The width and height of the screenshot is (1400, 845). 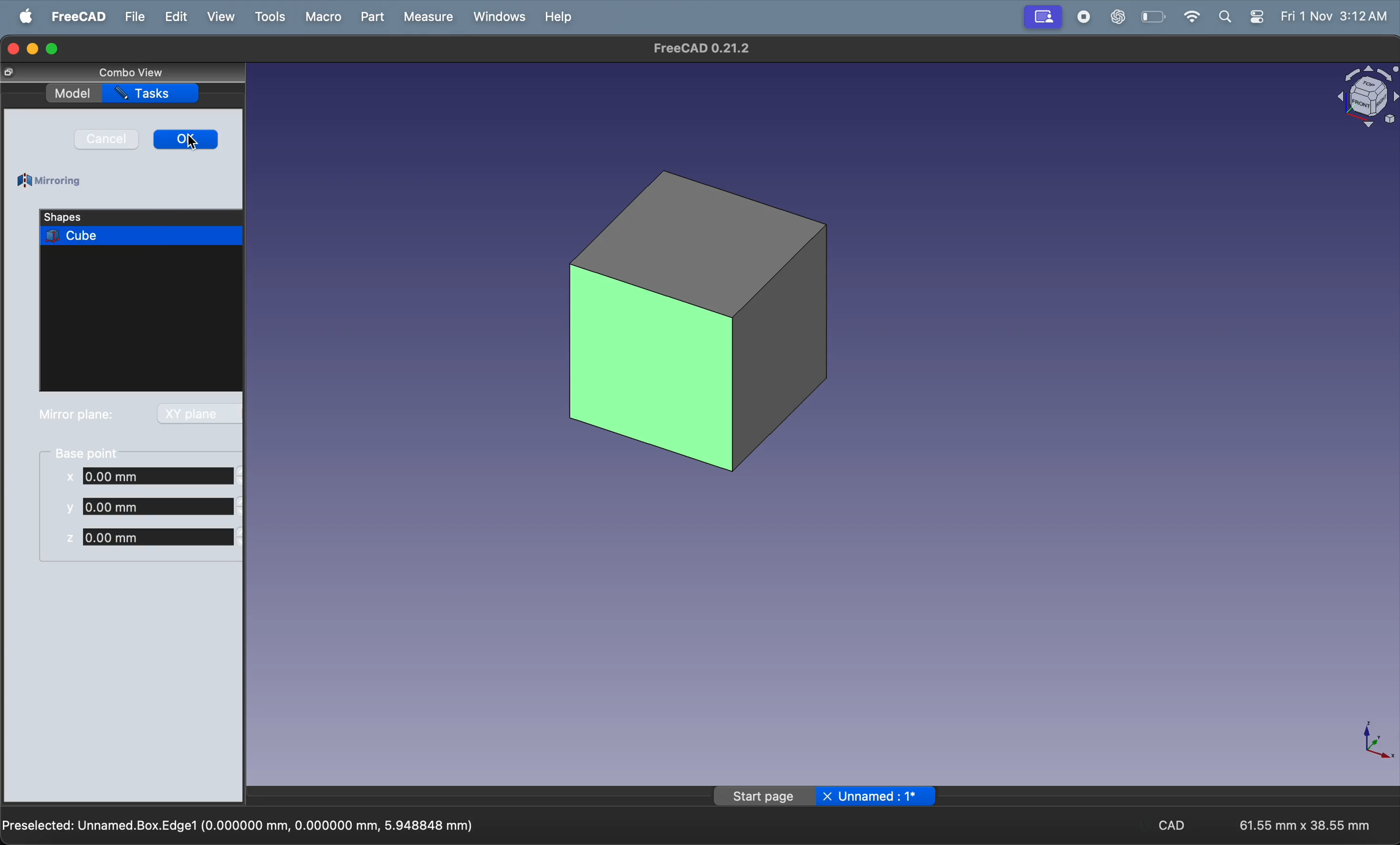 I want to click on unnamed, so click(x=881, y=797).